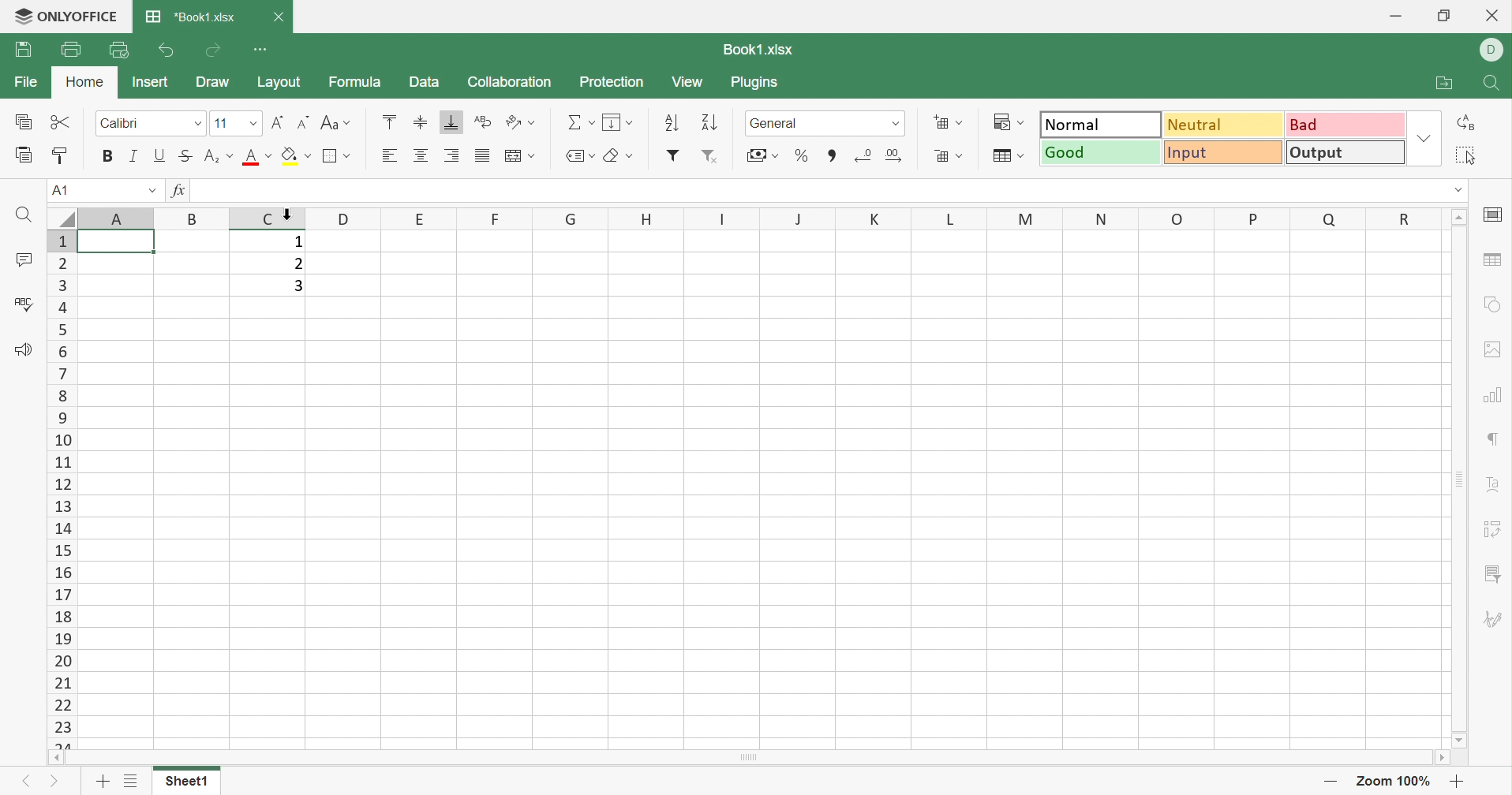  What do you see at coordinates (25, 349) in the screenshot?
I see `Feedback & Support` at bounding box center [25, 349].